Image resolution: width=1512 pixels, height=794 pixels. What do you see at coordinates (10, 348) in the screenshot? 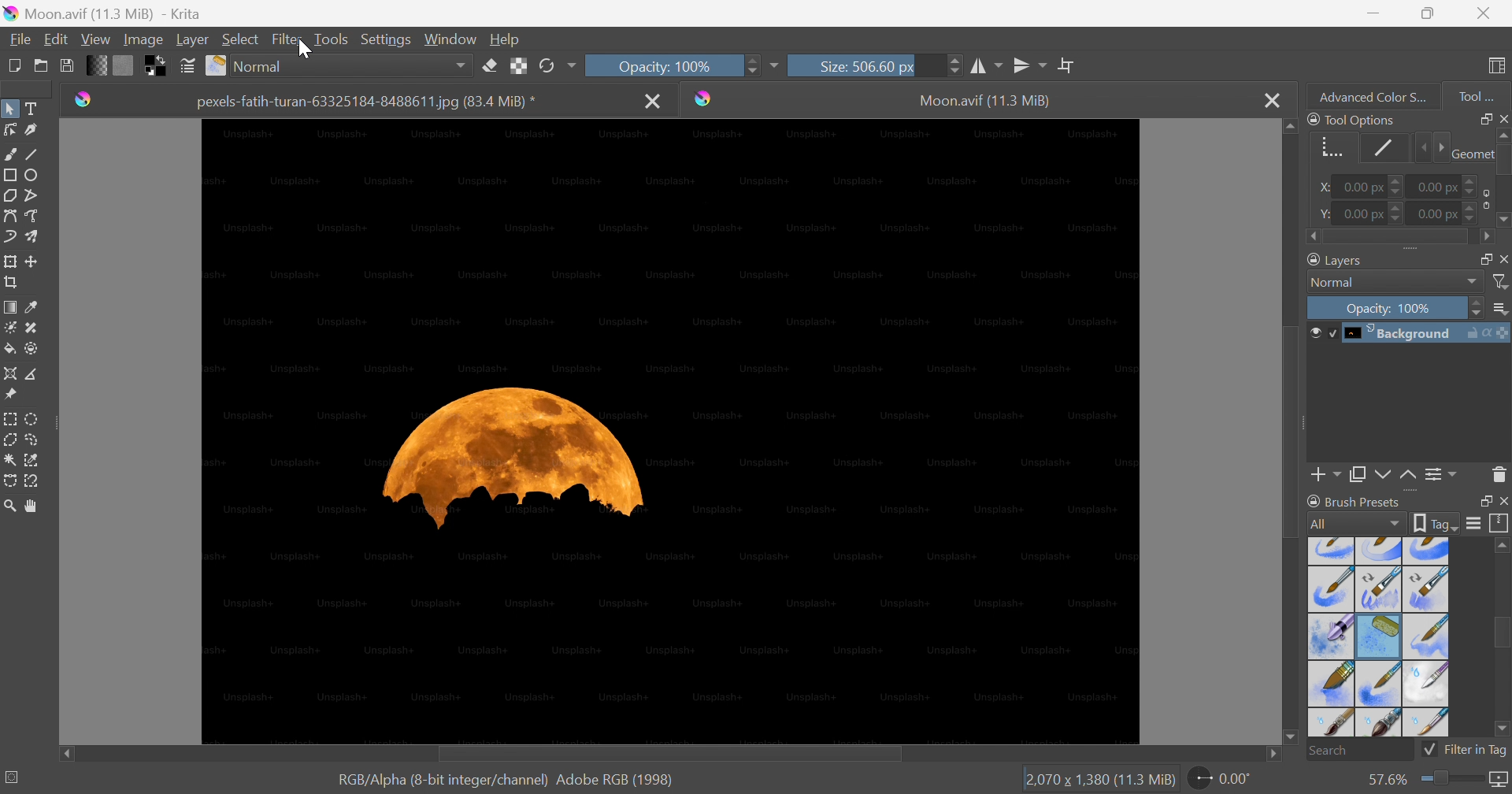
I see `Fill a contiguous area of color with a color or a fill selection` at bounding box center [10, 348].